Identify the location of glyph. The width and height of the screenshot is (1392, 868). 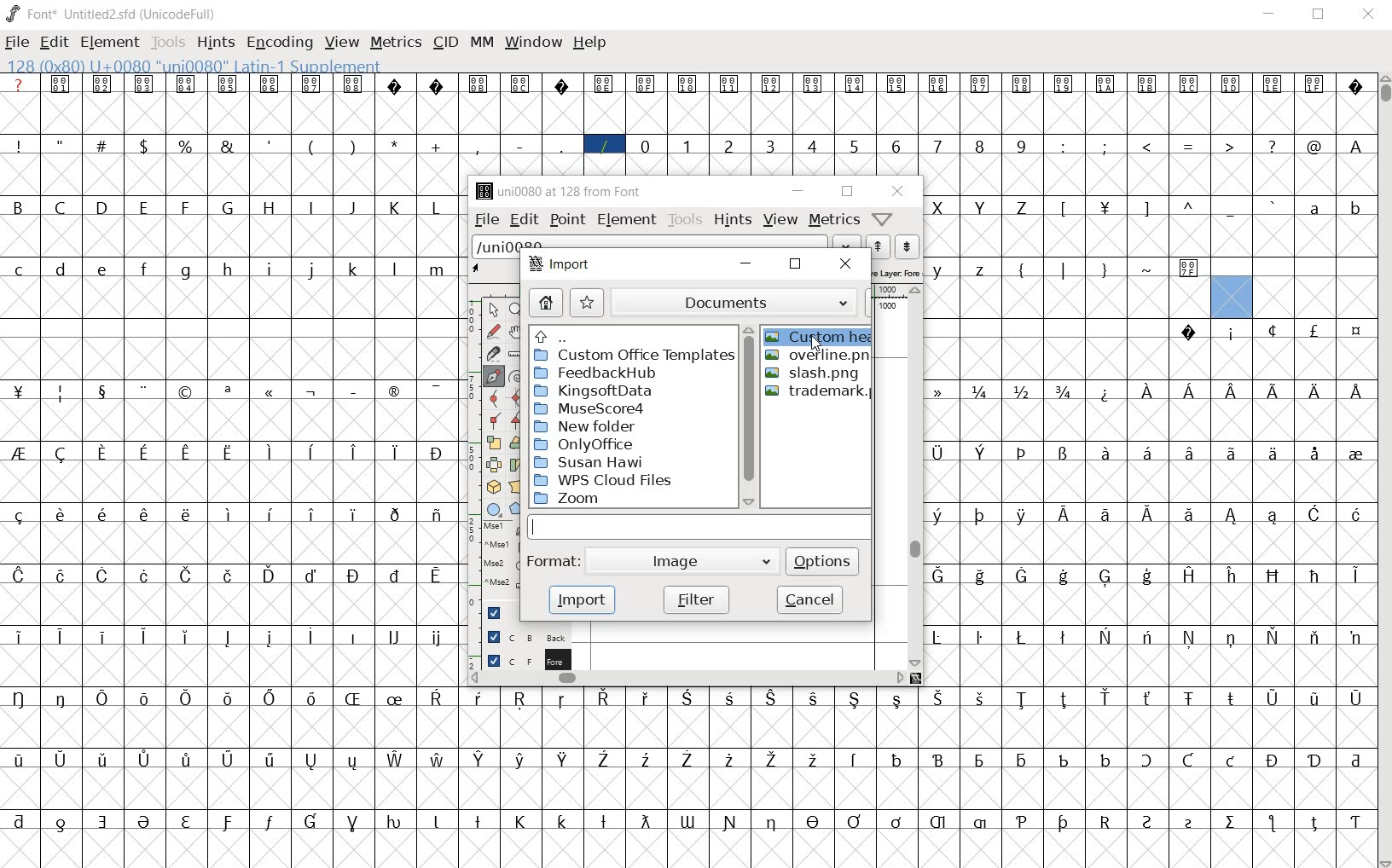
(1105, 636).